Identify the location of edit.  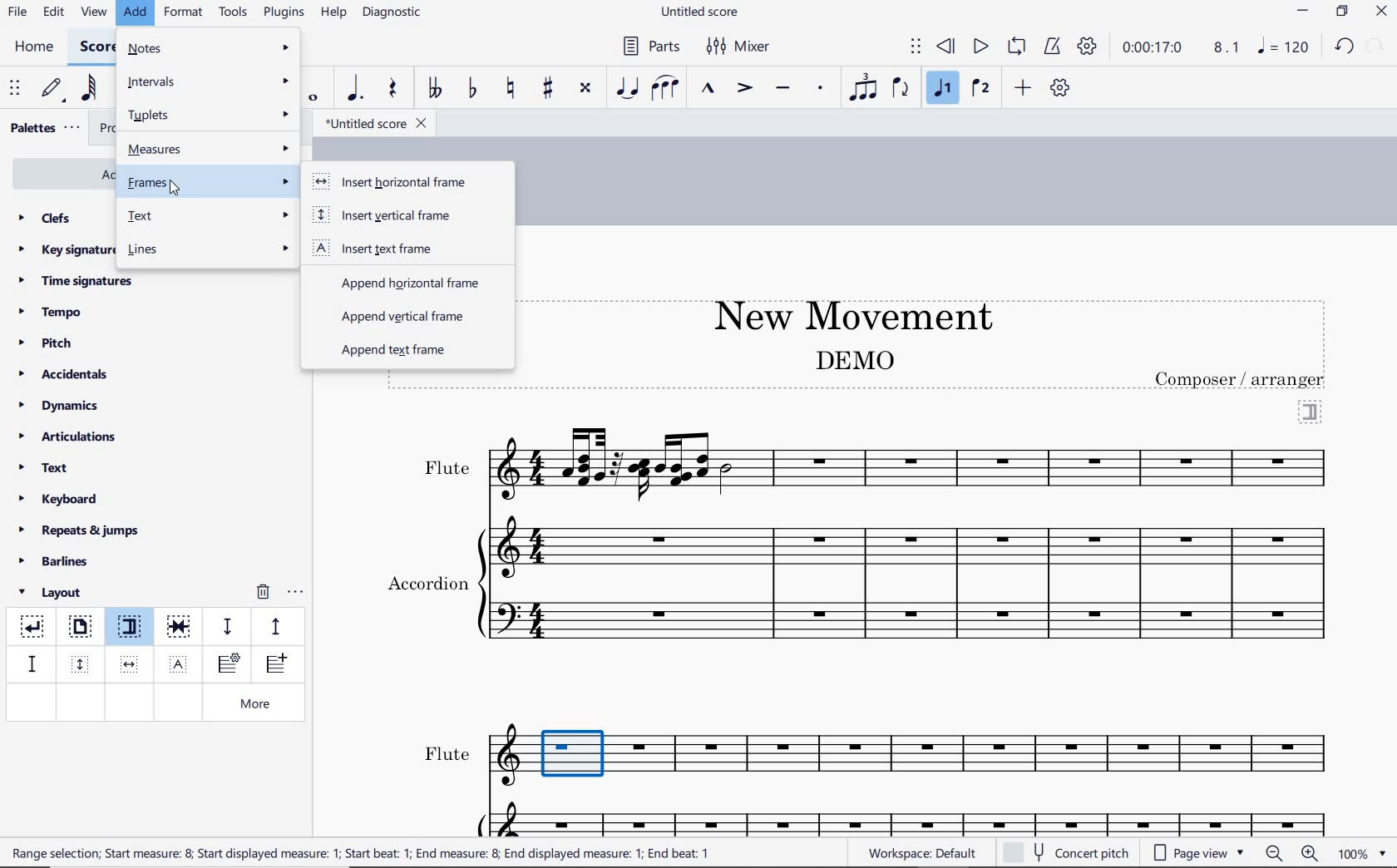
(52, 12).